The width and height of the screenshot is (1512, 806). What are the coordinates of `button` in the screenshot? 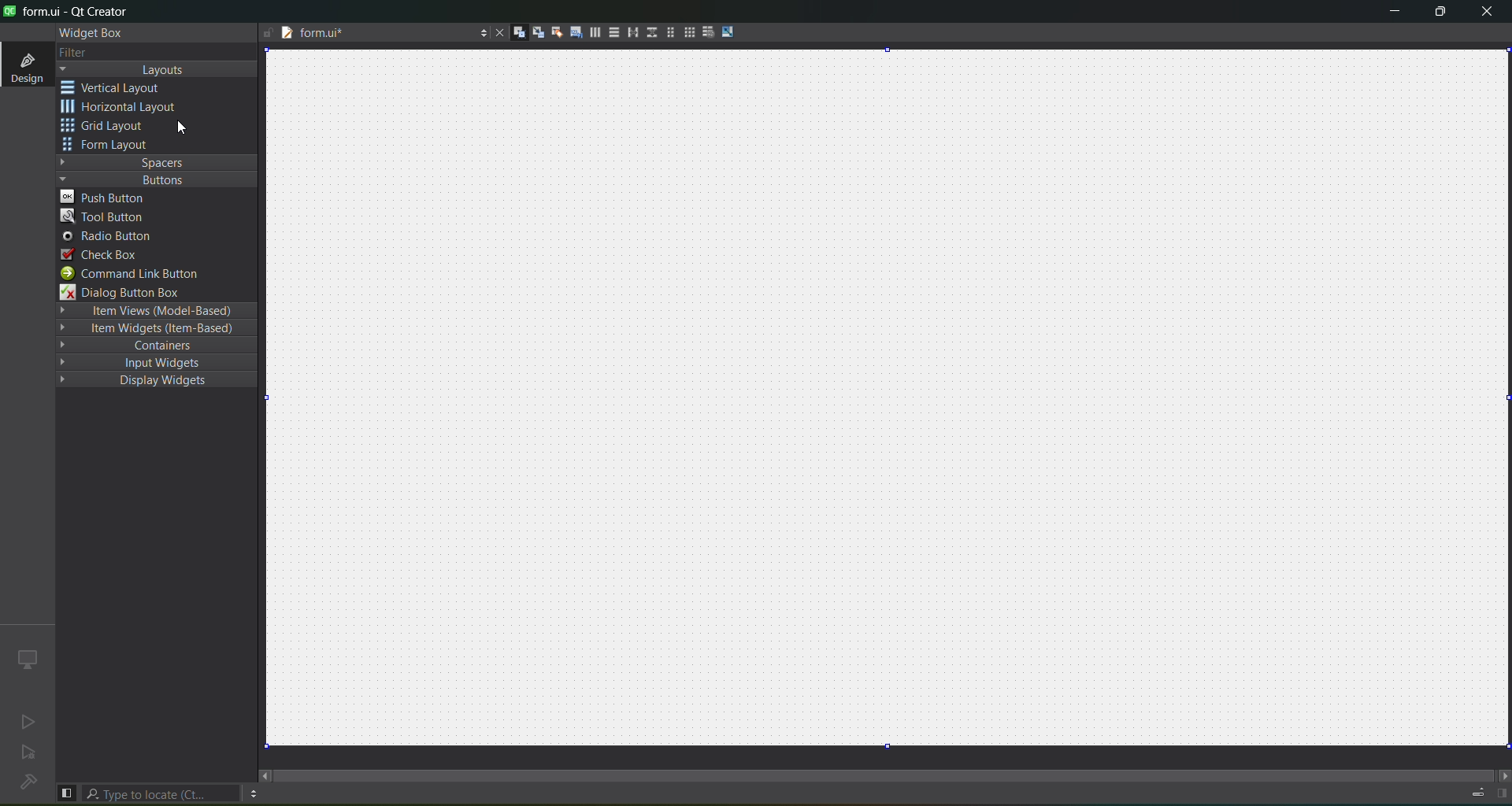 It's located at (154, 179).